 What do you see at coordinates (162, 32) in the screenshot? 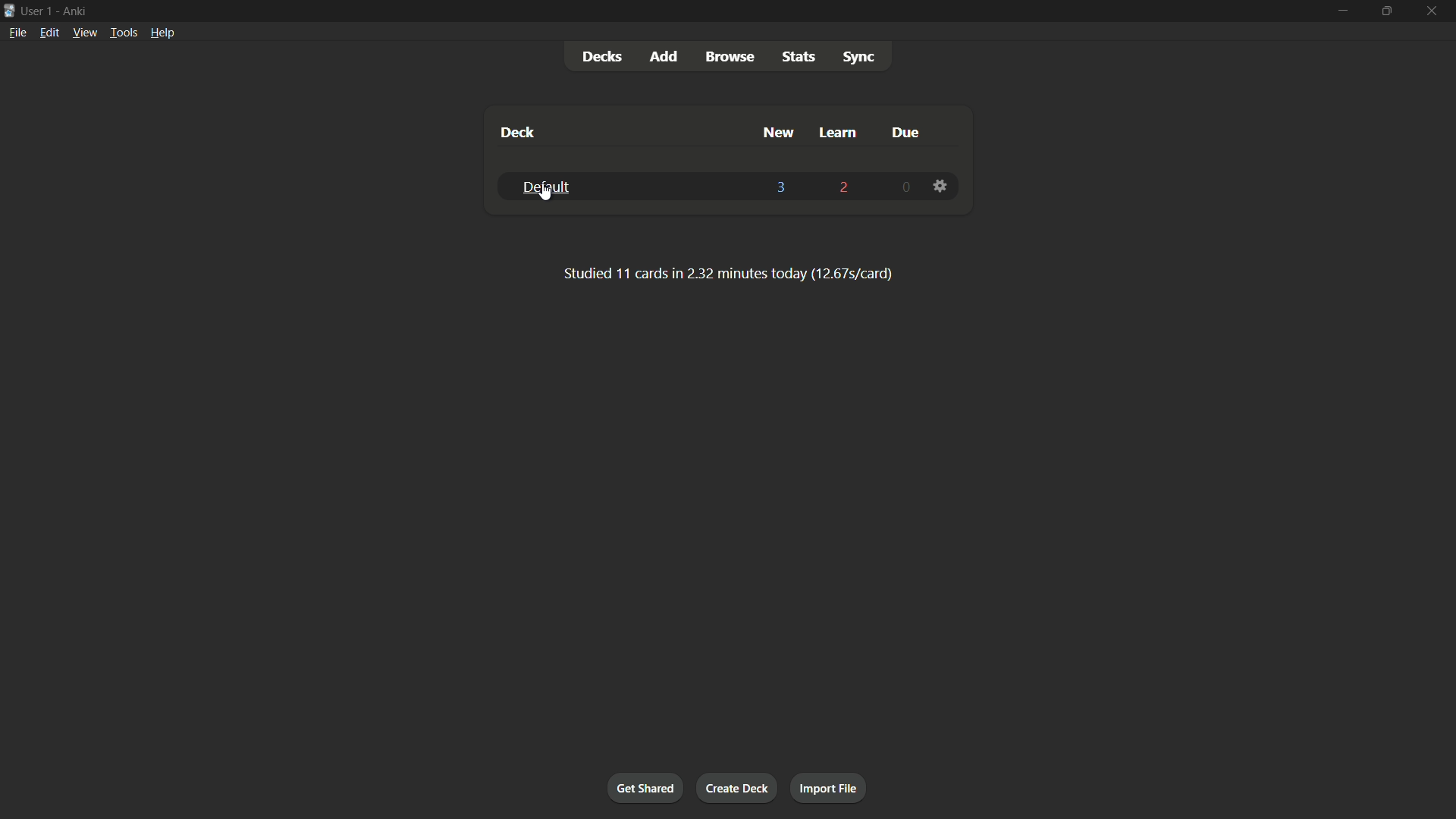
I see `help menu` at bounding box center [162, 32].